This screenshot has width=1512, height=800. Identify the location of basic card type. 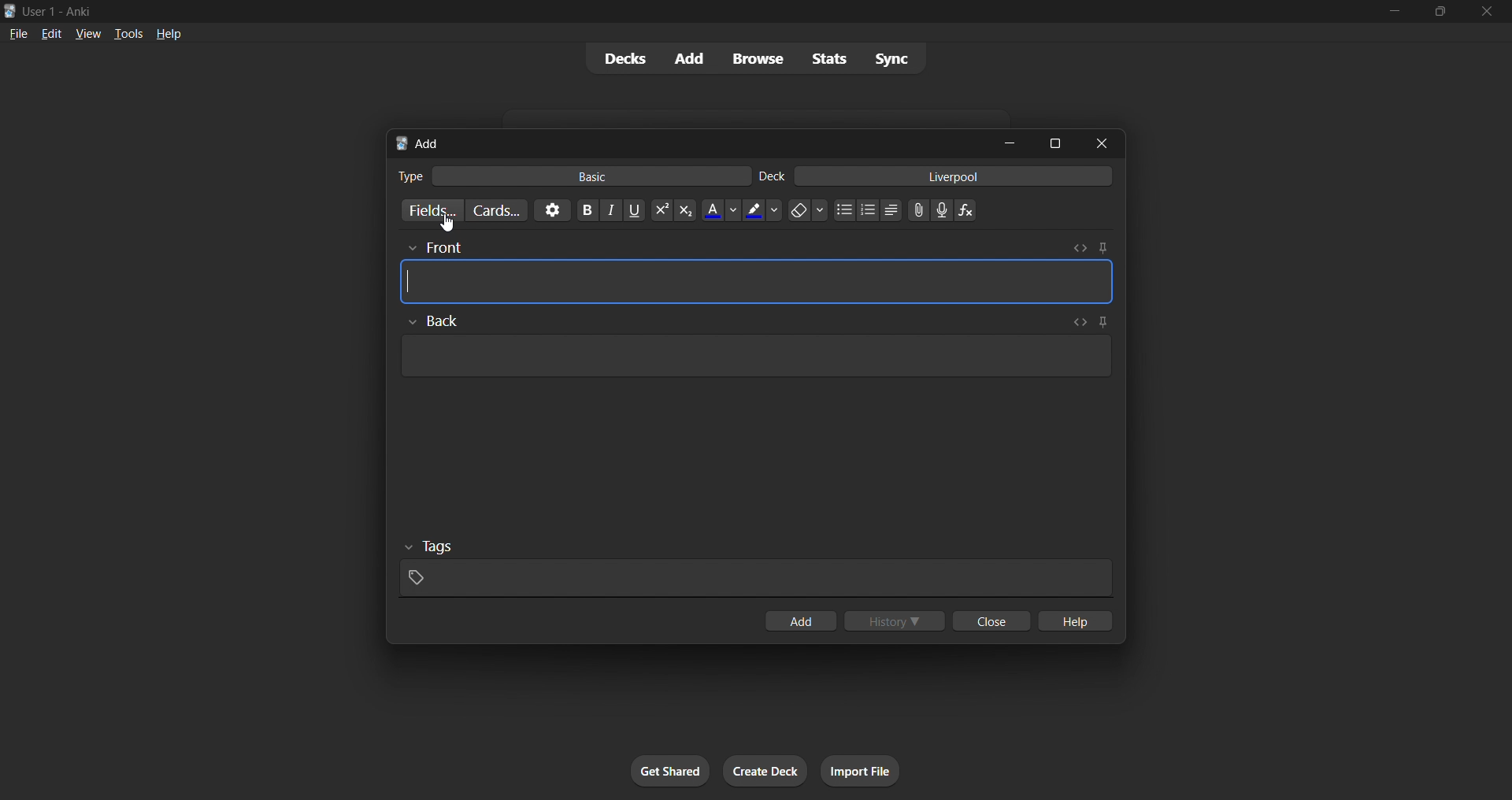
(587, 176).